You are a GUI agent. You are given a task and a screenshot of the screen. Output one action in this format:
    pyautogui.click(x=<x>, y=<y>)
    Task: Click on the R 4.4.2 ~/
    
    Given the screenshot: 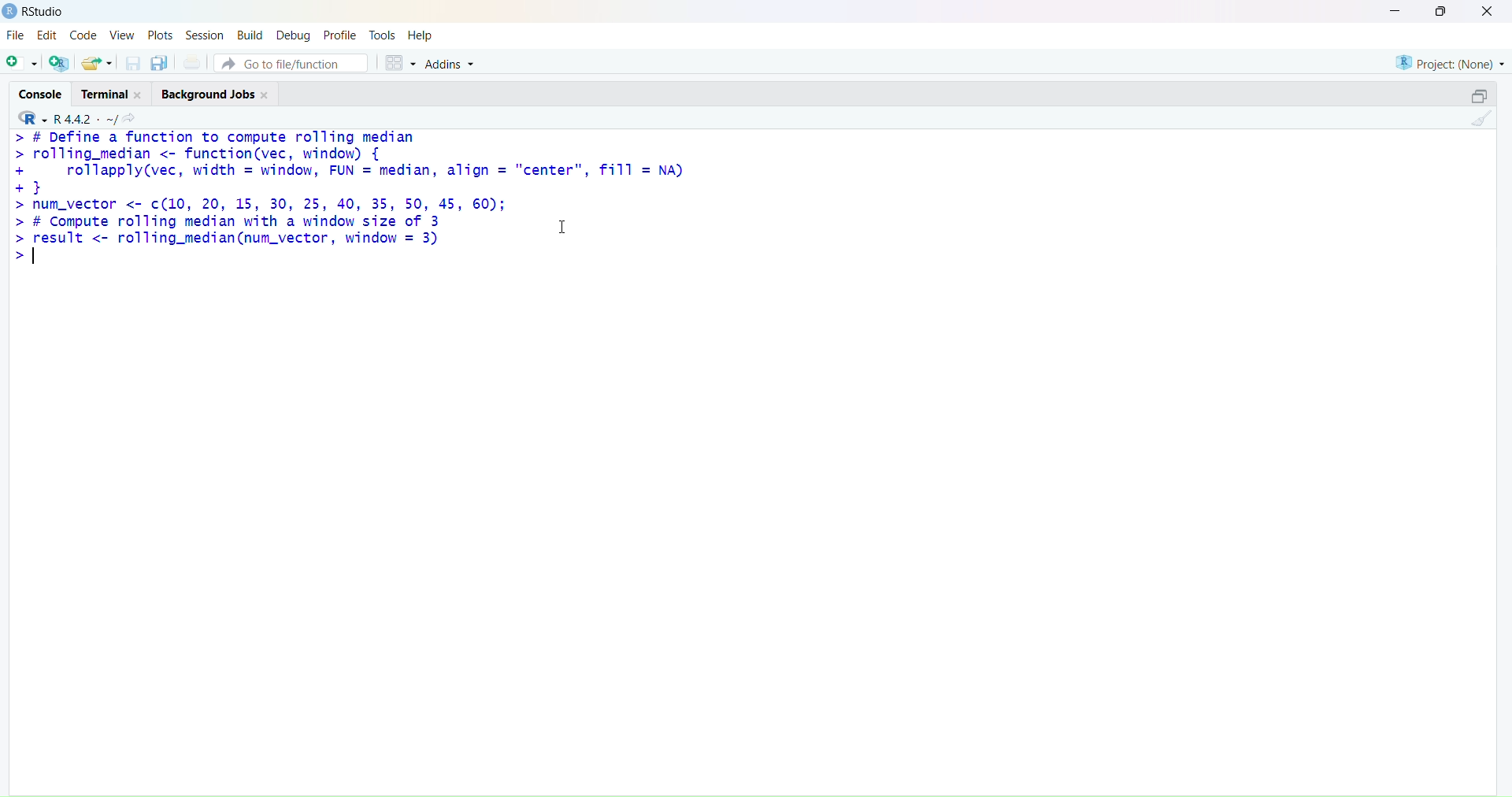 What is the action you would take?
    pyautogui.click(x=85, y=119)
    